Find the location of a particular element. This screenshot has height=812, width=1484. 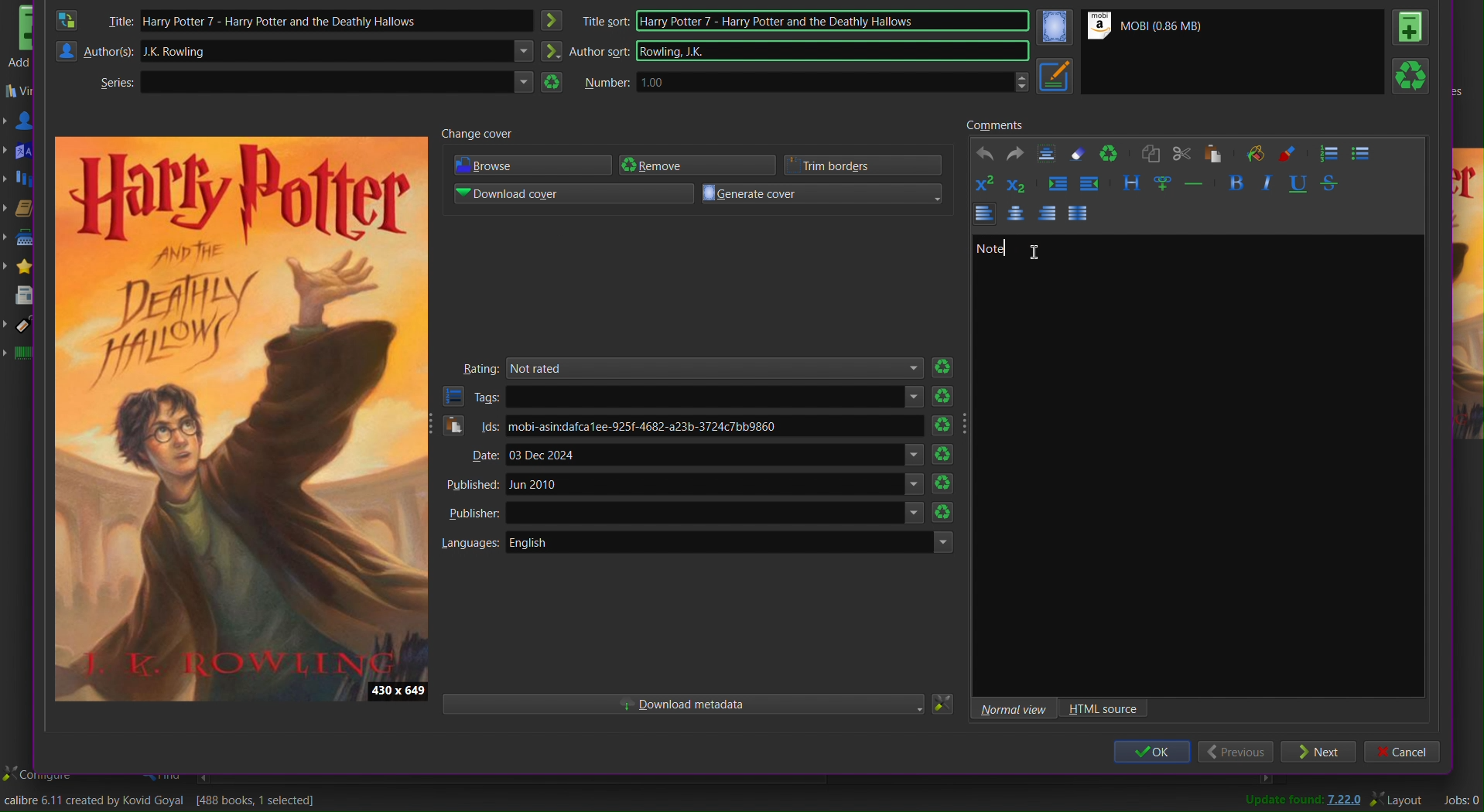

Jun 2010 is located at coordinates (713, 486).